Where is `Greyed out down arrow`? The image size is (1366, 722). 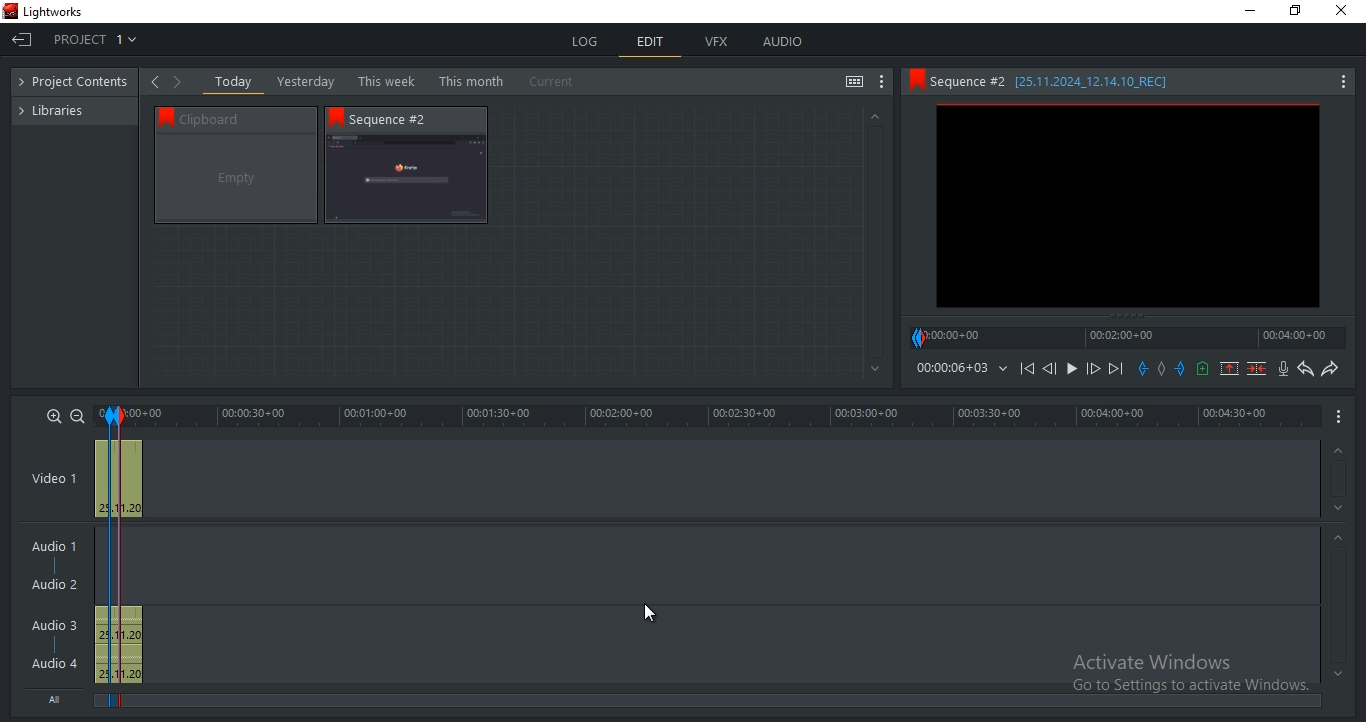 Greyed out down arrow is located at coordinates (876, 370).